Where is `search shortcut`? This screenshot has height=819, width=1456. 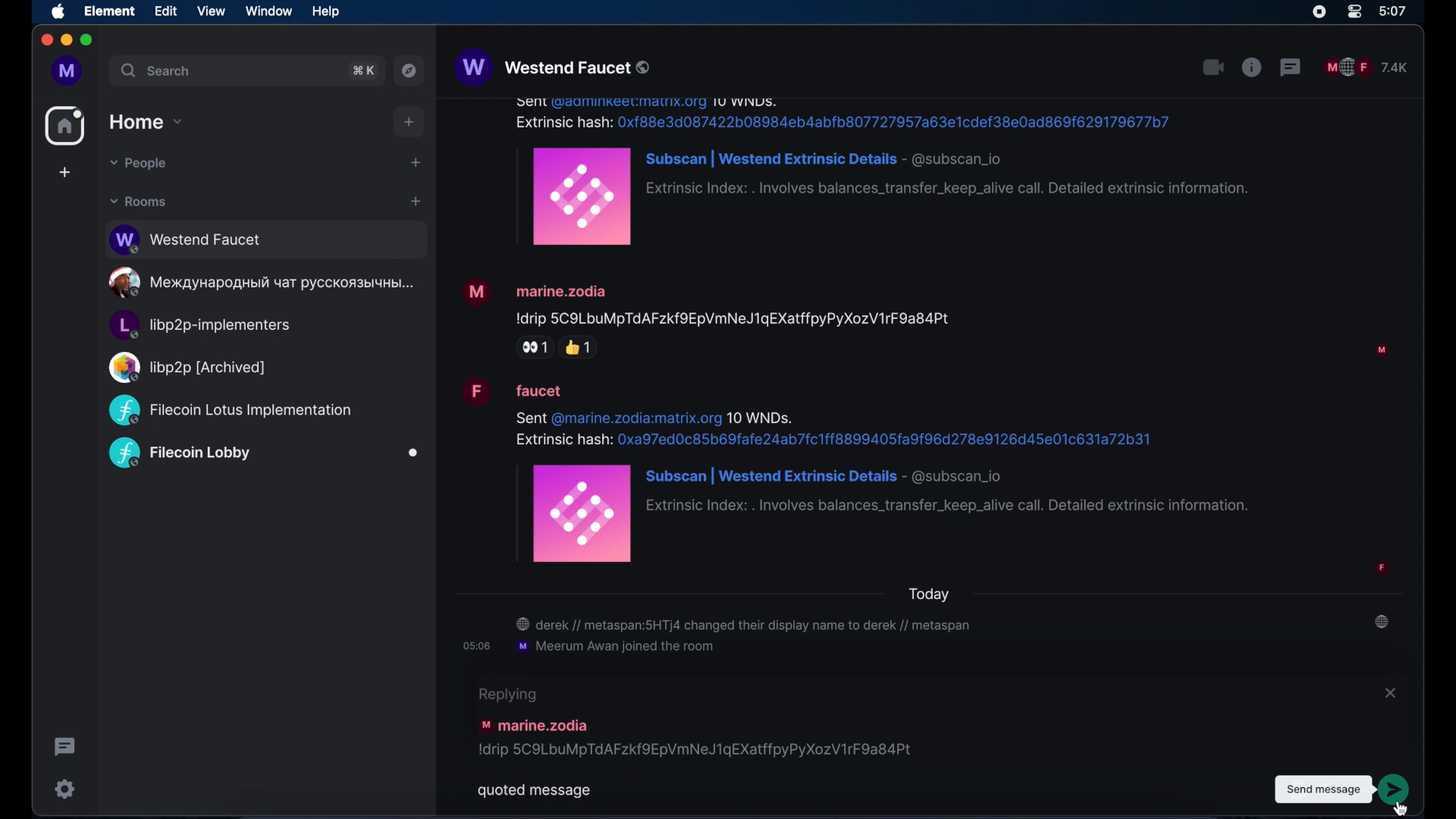
search shortcut is located at coordinates (363, 71).